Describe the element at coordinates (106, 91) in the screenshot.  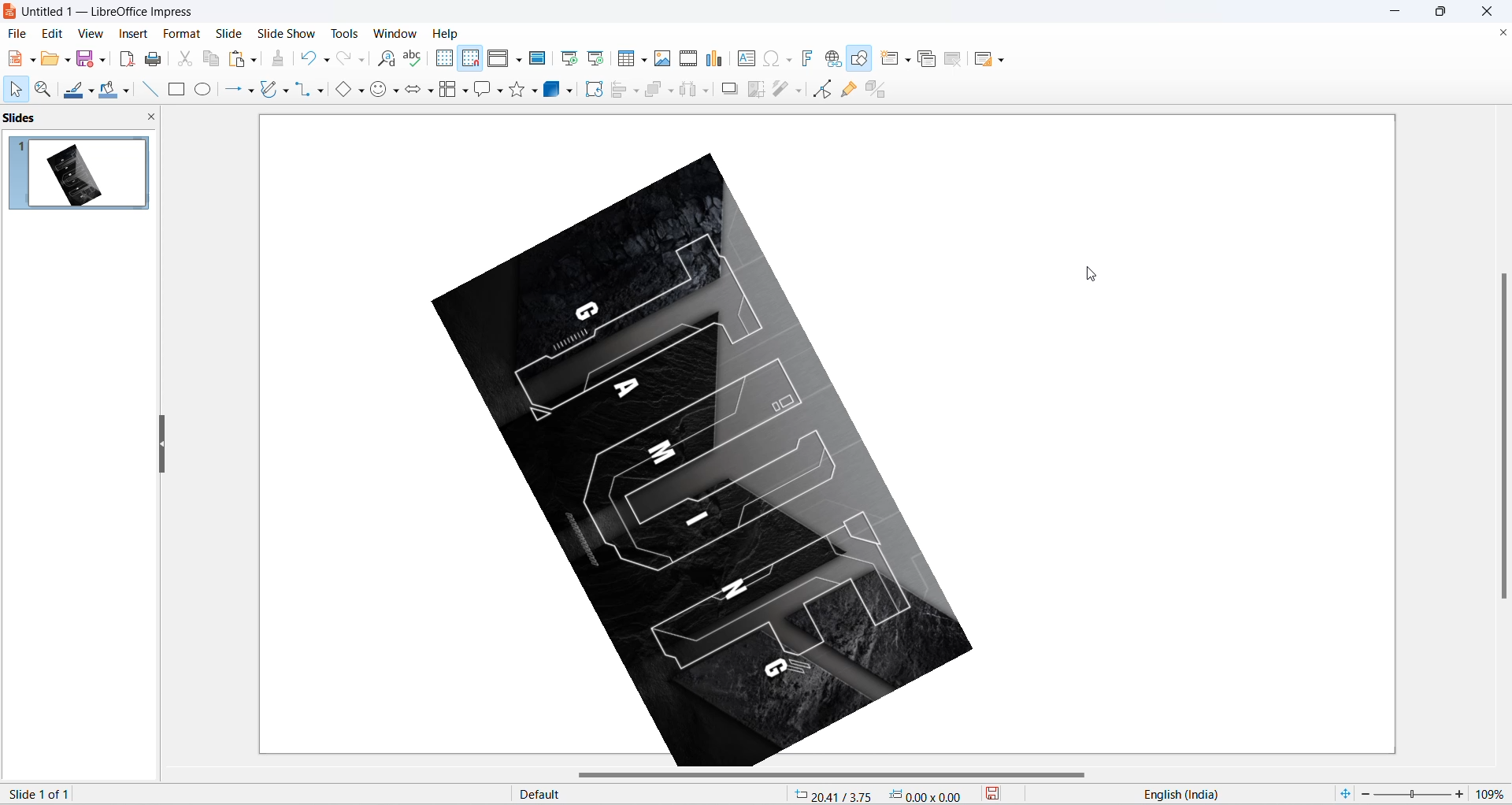
I see `fill color` at that location.